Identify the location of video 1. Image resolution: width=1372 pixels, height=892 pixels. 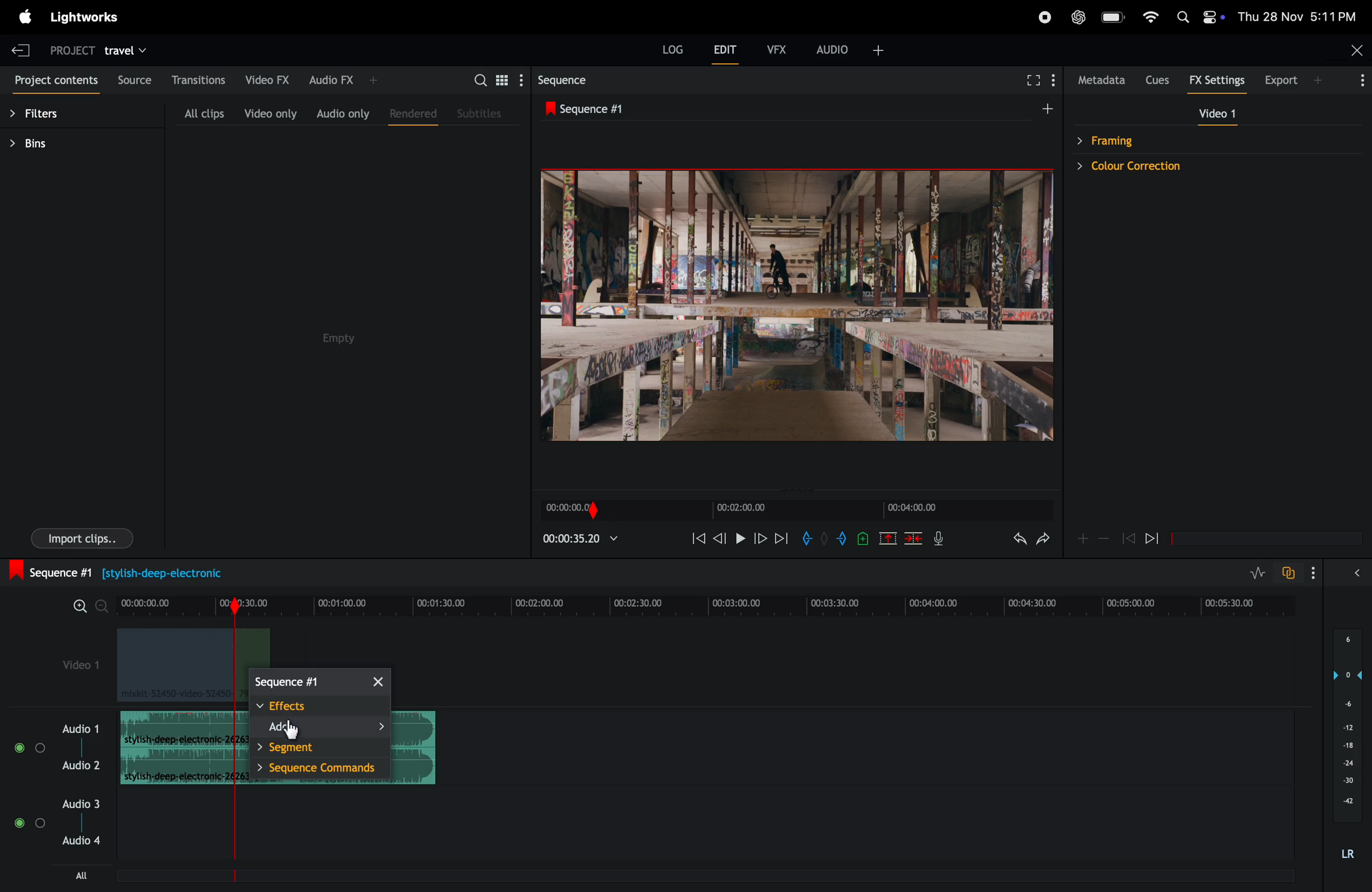
(82, 668).